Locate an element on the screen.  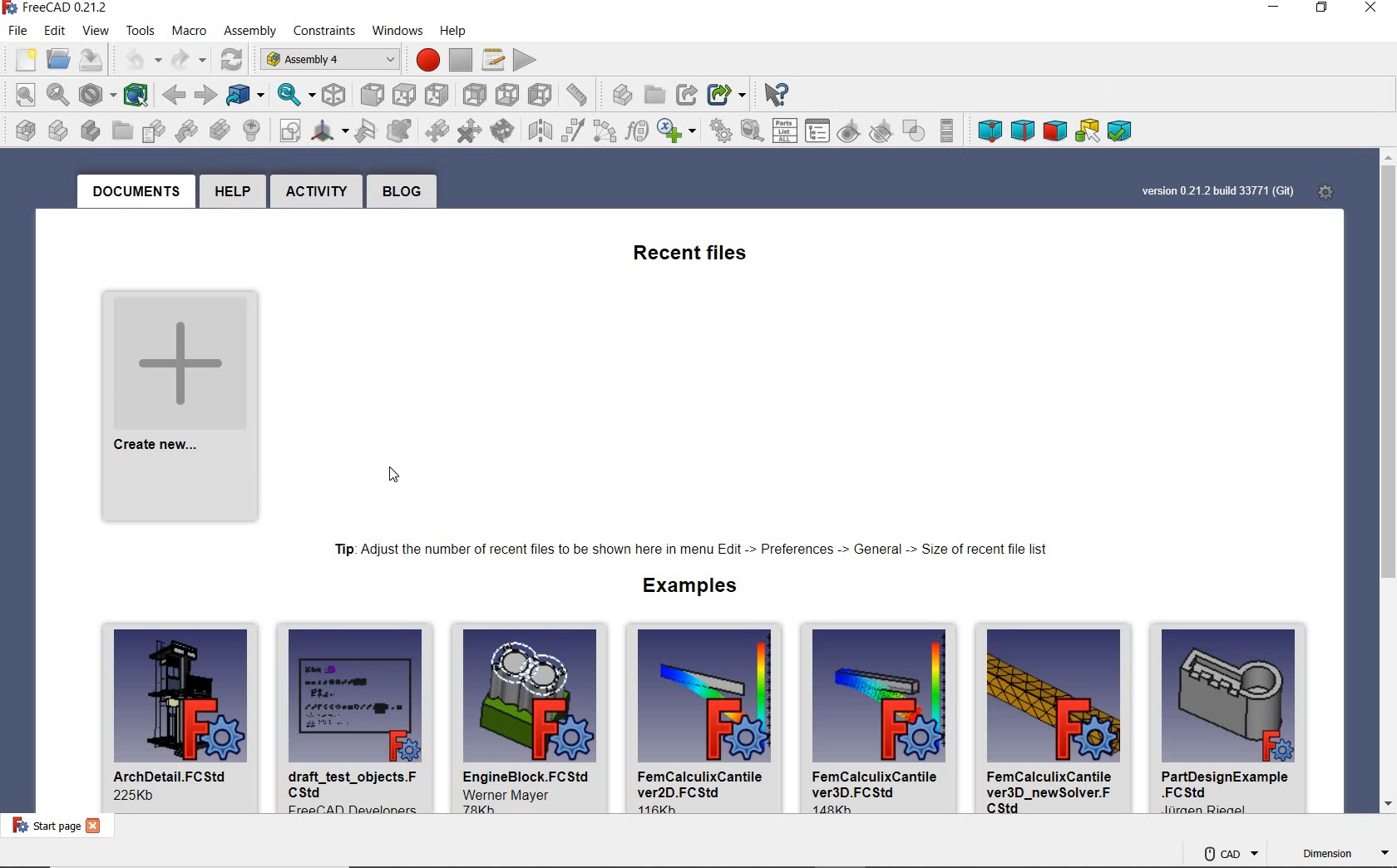
new sketch is located at coordinates (287, 131).